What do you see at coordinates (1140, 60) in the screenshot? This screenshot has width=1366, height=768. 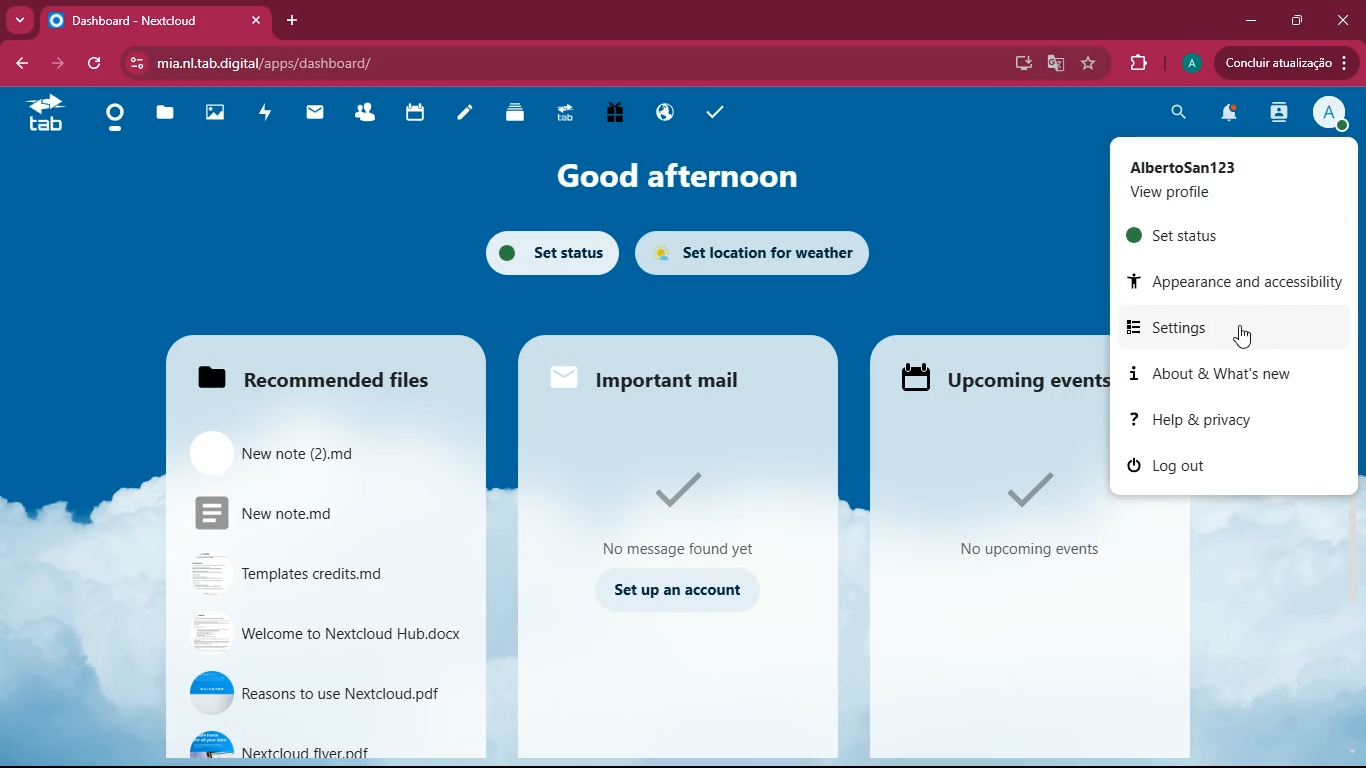 I see `extensions` at bounding box center [1140, 60].